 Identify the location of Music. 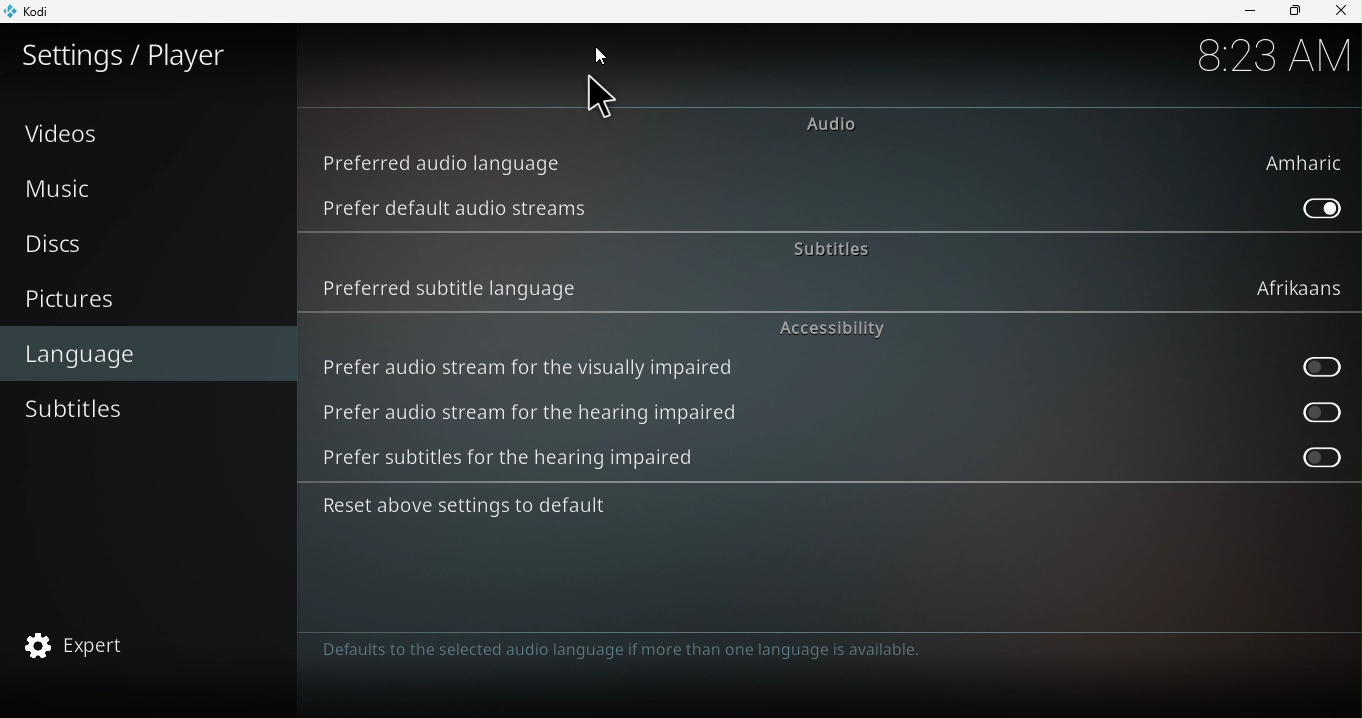
(146, 188).